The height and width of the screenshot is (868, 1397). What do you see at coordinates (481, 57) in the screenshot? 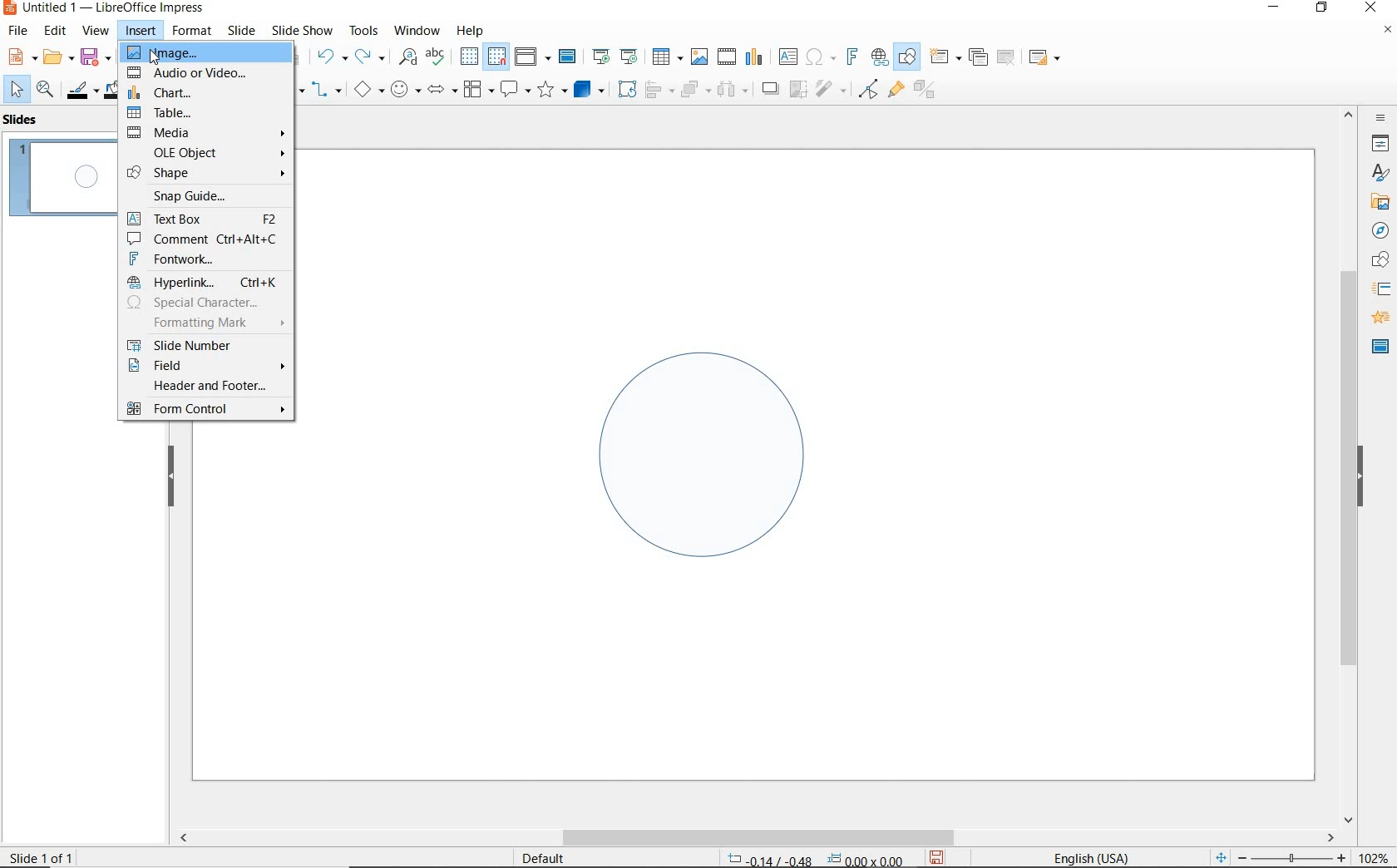
I see `display/snap grid` at bounding box center [481, 57].